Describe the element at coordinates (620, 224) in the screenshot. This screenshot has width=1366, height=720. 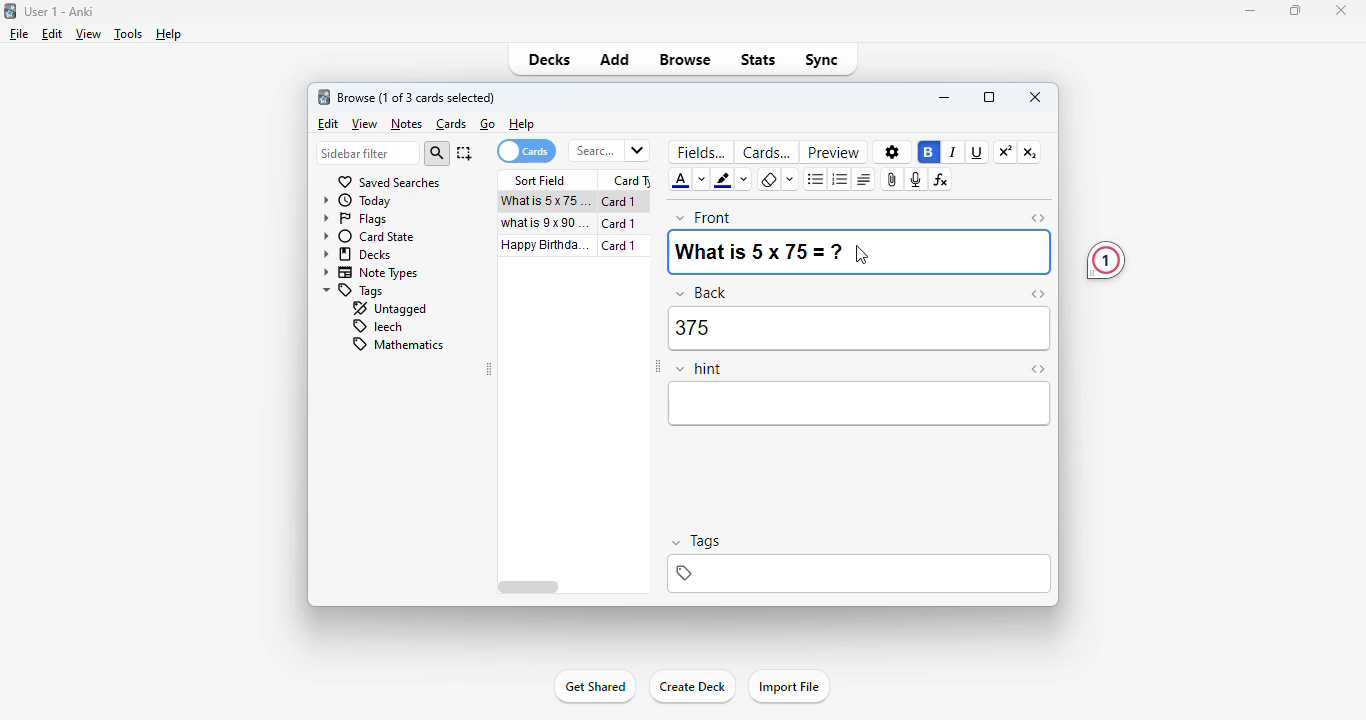
I see `card 1` at that location.